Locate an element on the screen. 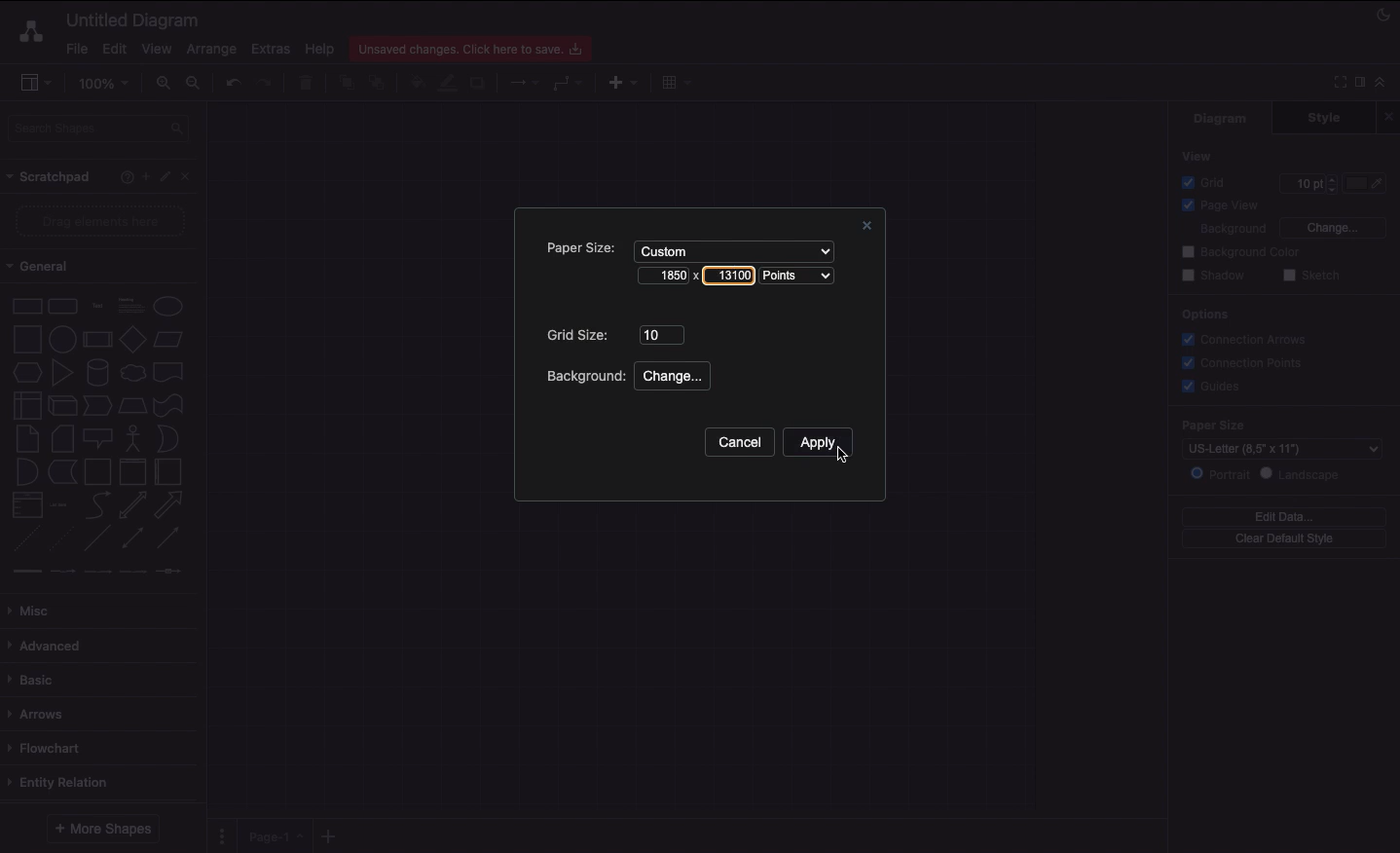 The width and height of the screenshot is (1400, 853). Points  is located at coordinates (801, 277).